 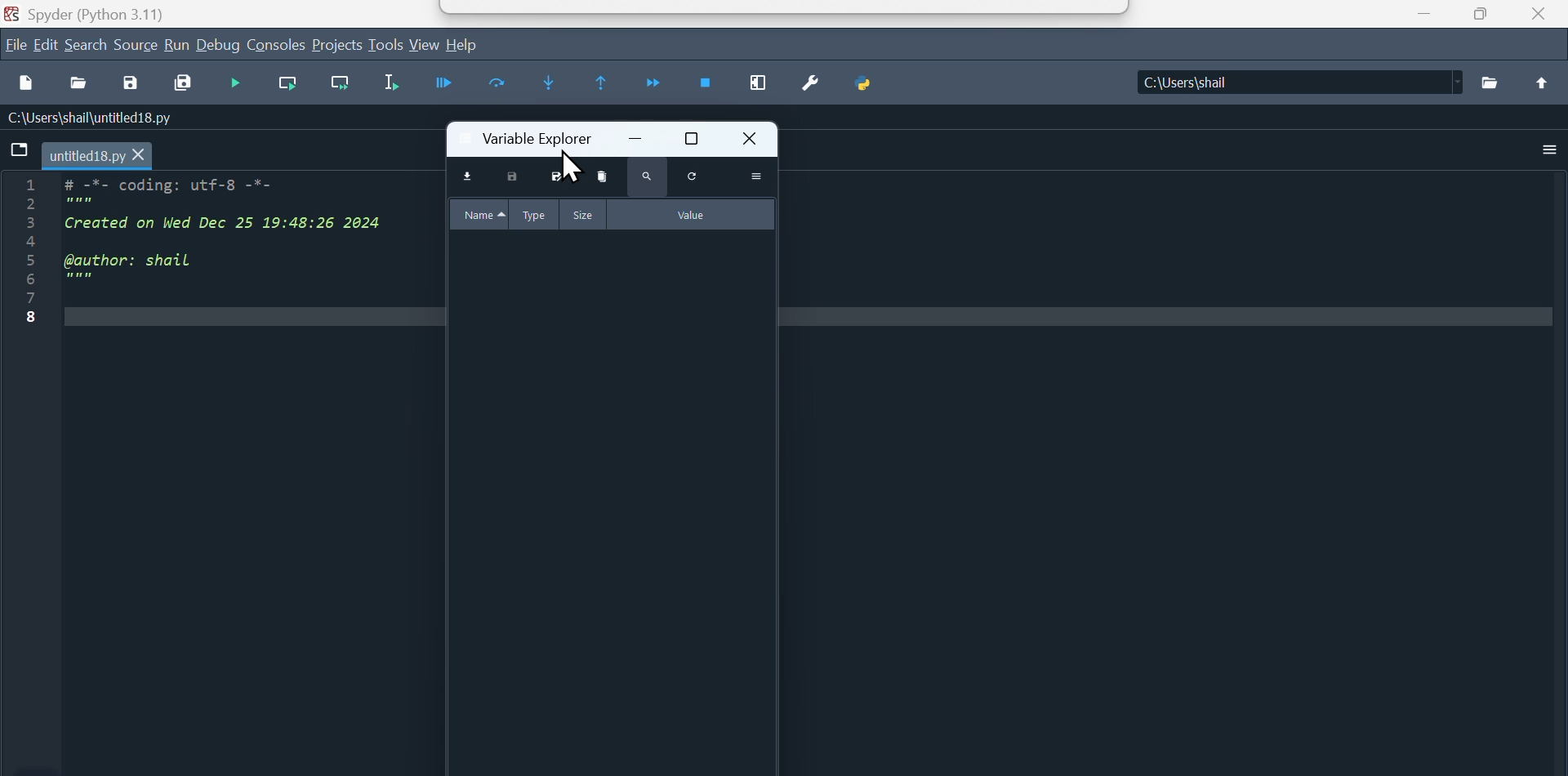 What do you see at coordinates (238, 83) in the screenshot?
I see `Debugging` at bounding box center [238, 83].